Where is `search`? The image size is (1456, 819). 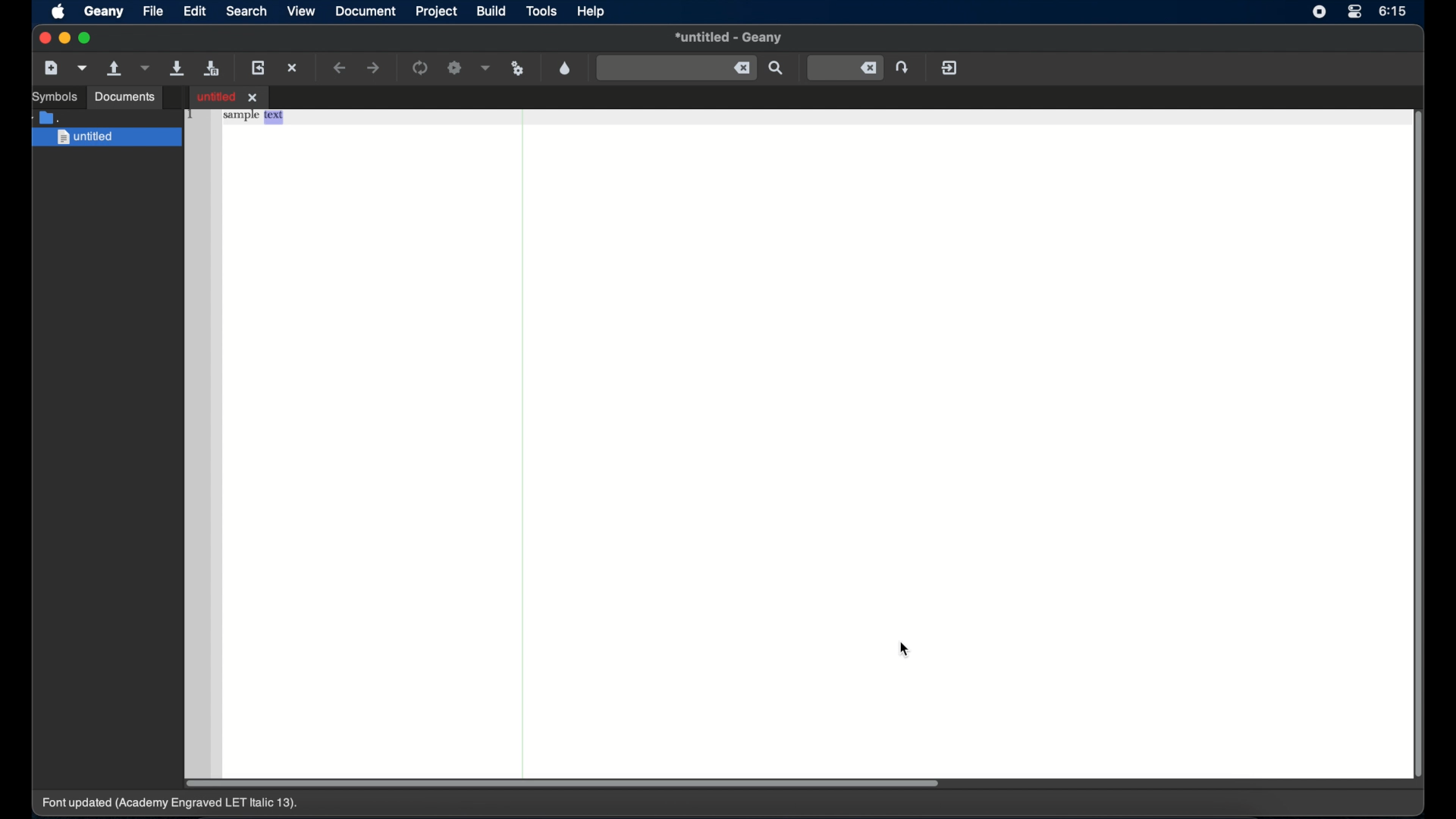
search is located at coordinates (247, 11).